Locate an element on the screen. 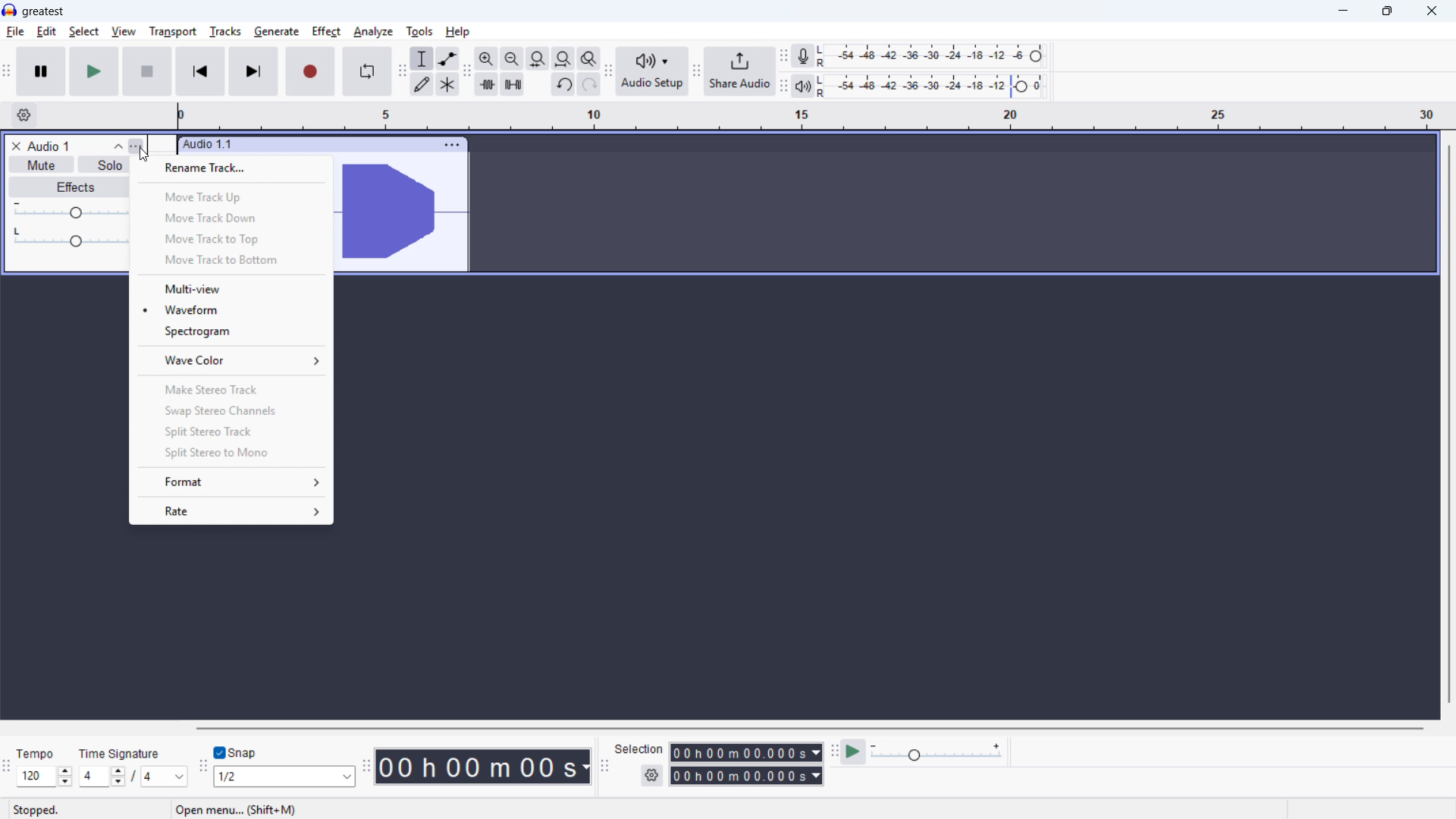 This screenshot has width=1456, height=819. audio setup is located at coordinates (652, 72).